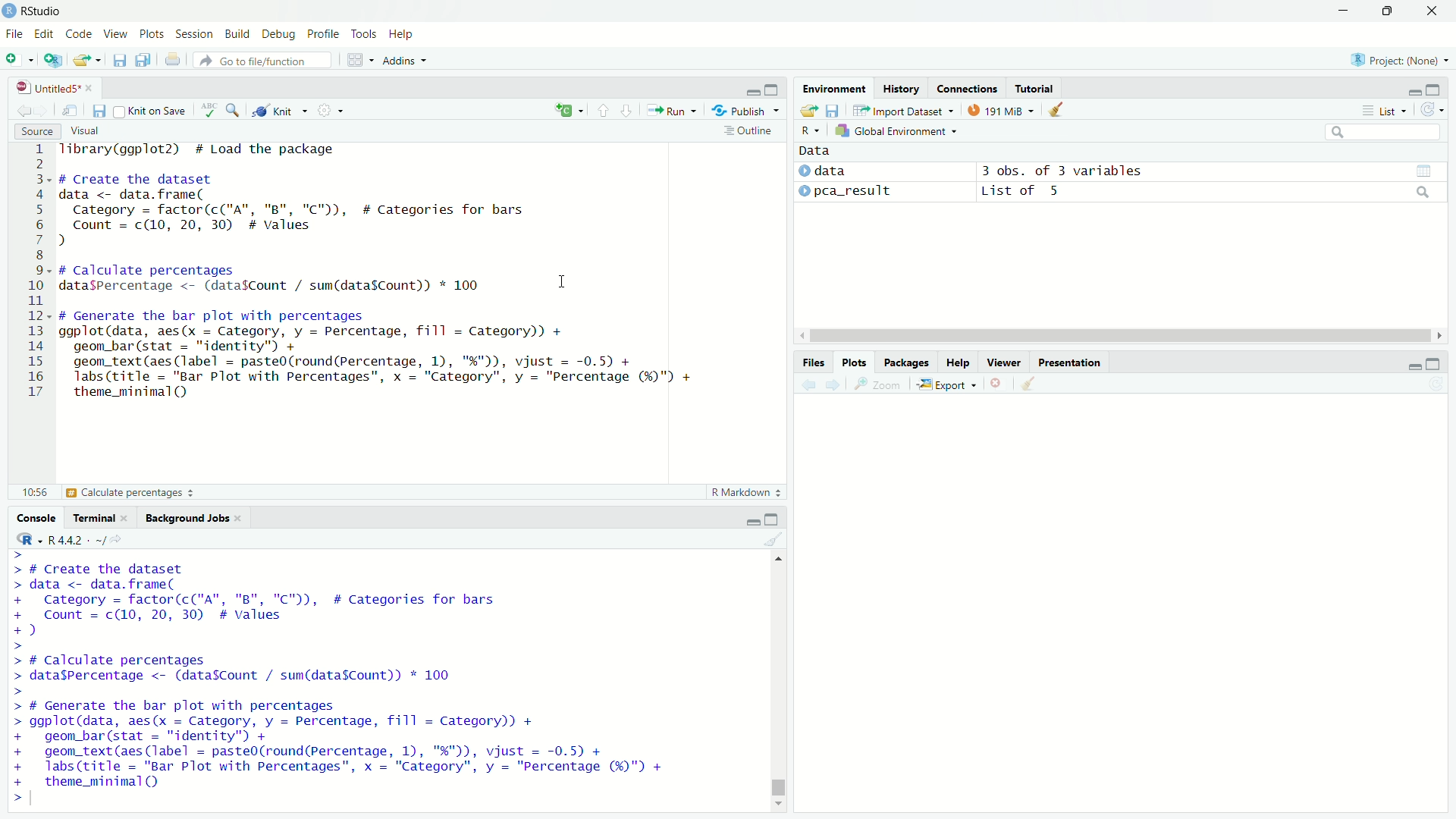 The width and height of the screenshot is (1456, 819). I want to click on data1 : data, so click(856, 171).